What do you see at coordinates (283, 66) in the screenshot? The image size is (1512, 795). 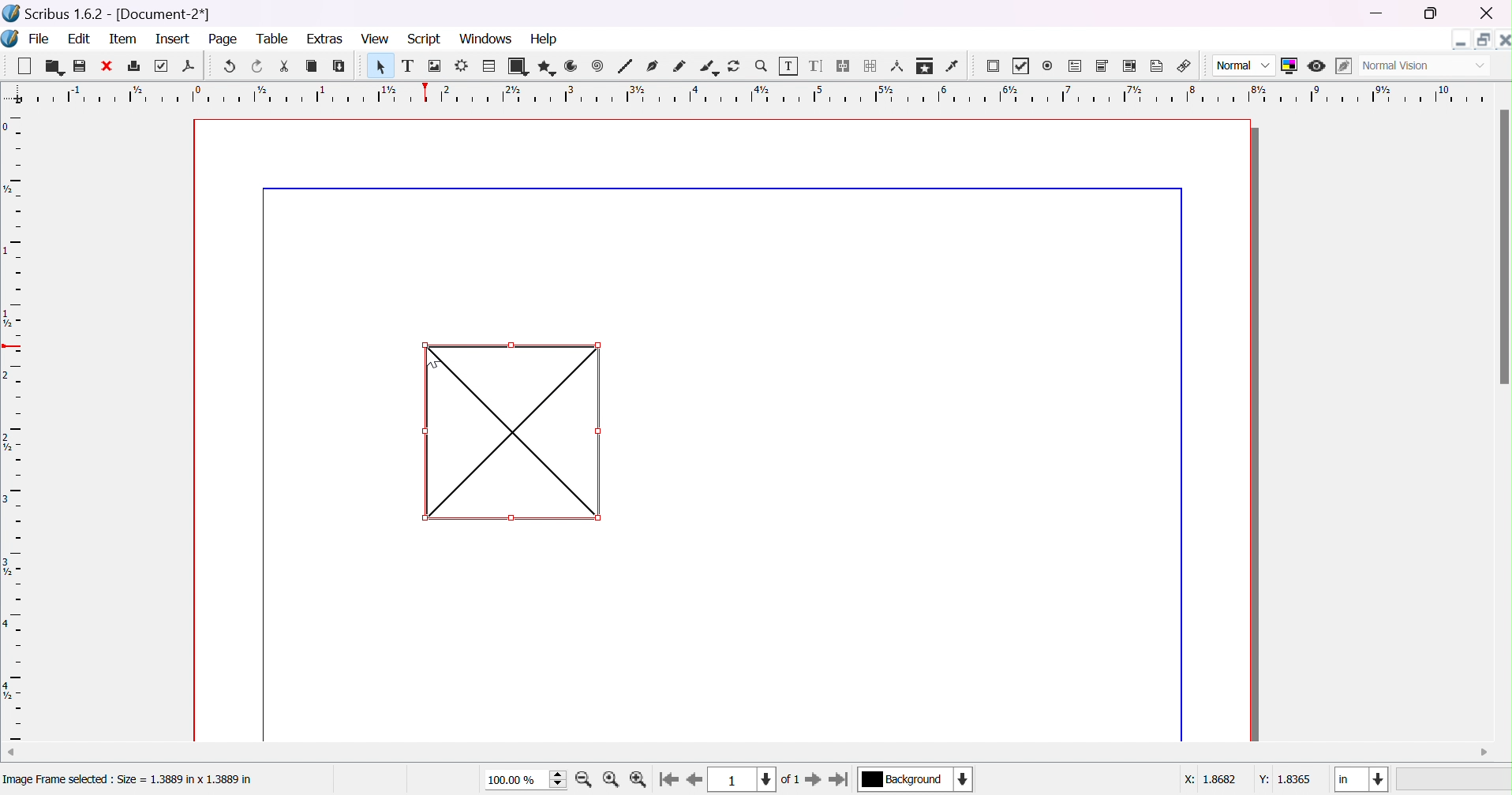 I see `cut` at bounding box center [283, 66].